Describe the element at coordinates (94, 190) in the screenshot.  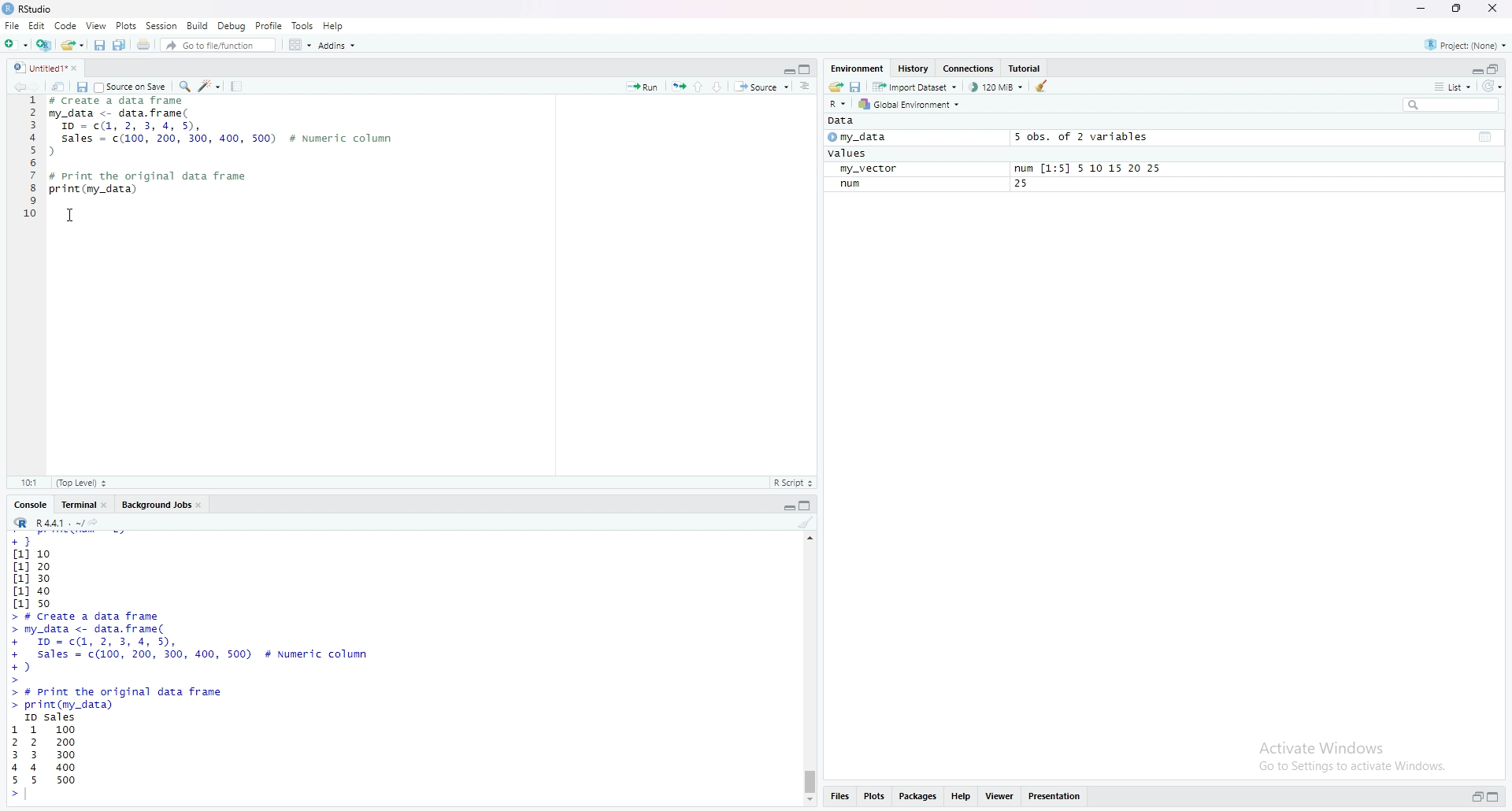
I see `print(My_data)` at that location.